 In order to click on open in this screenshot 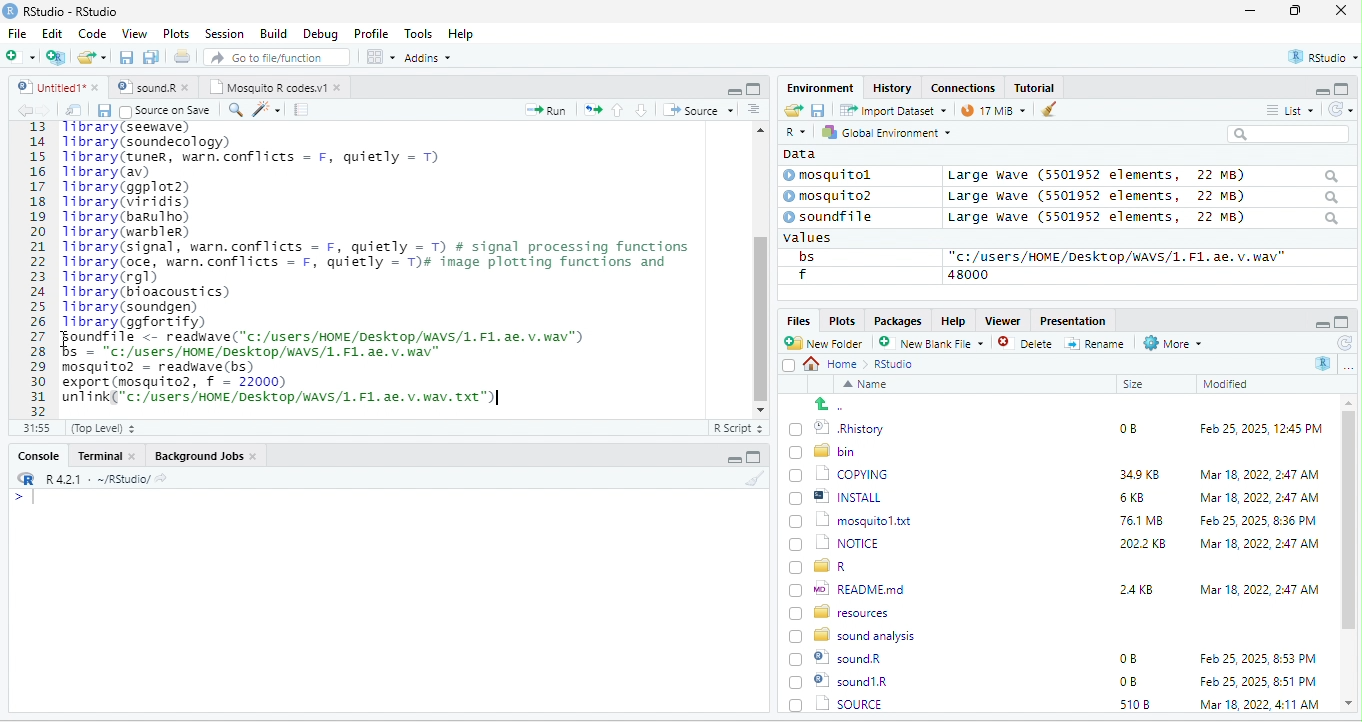, I will do `click(792, 111)`.